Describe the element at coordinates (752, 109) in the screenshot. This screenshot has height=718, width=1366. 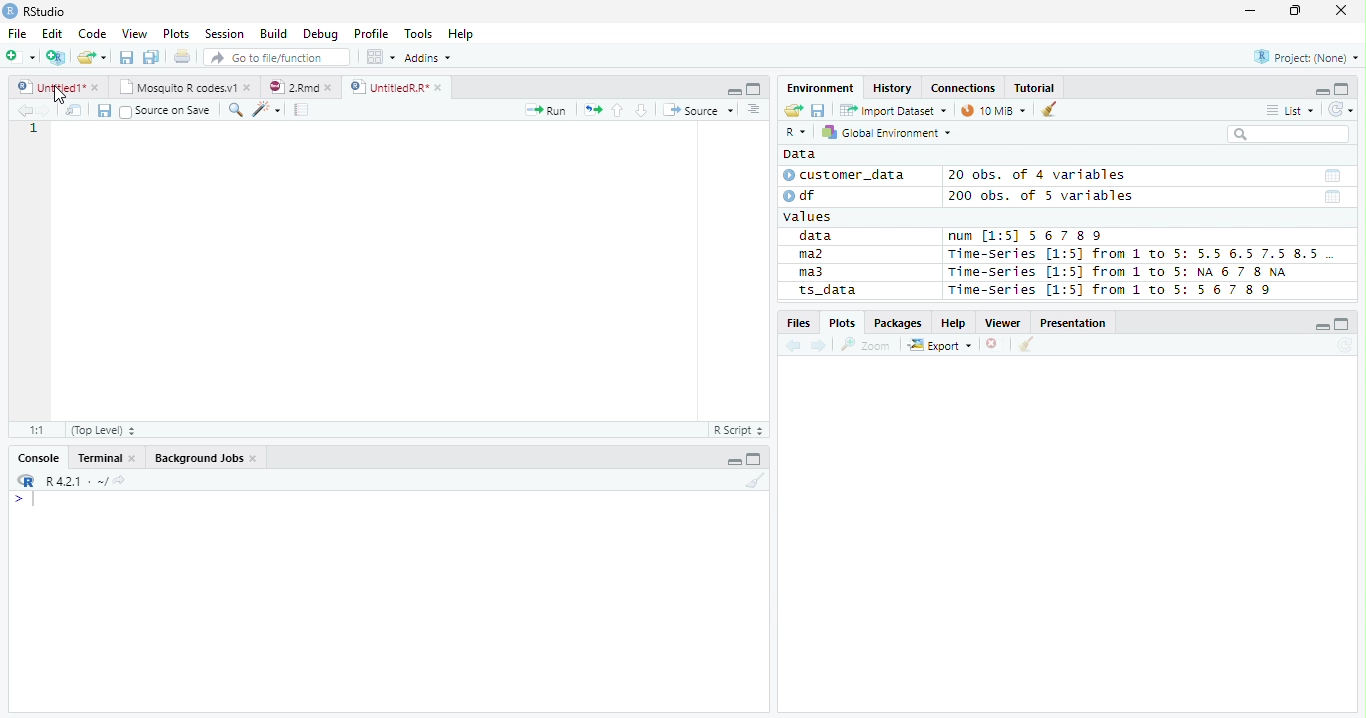
I see `Show document outline` at that location.